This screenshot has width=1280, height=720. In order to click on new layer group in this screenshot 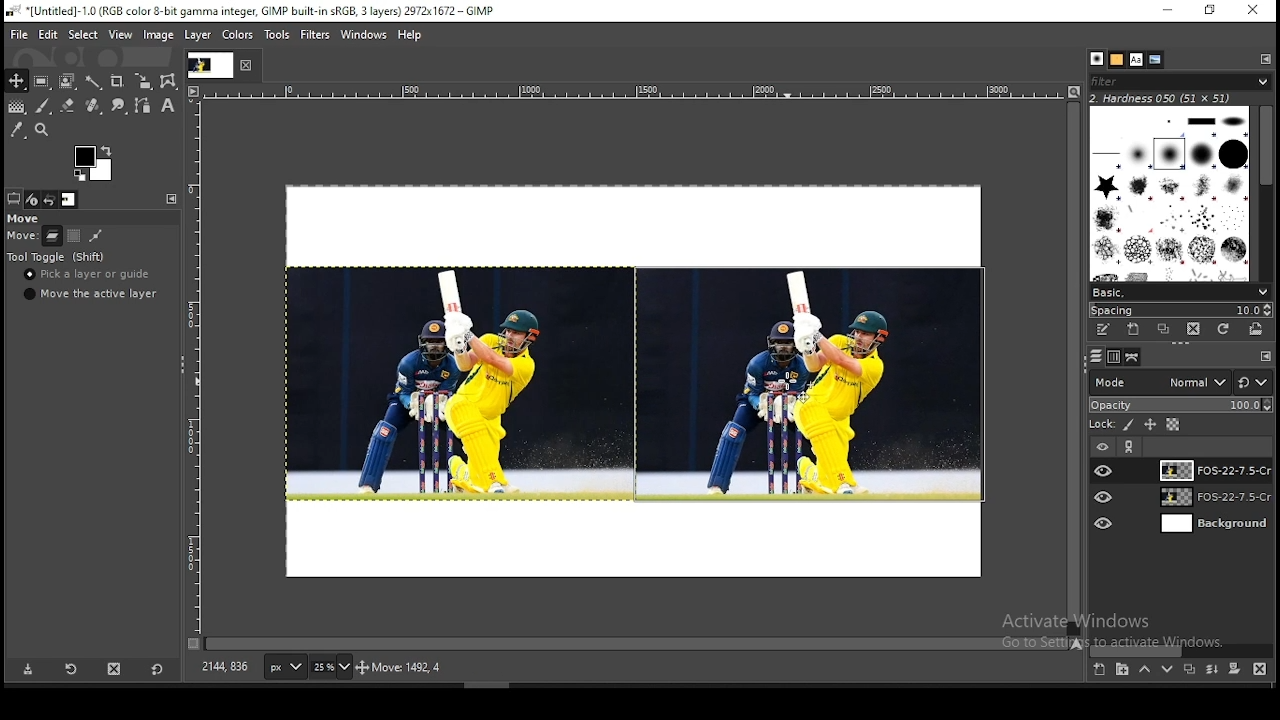, I will do `click(1122, 671)`.